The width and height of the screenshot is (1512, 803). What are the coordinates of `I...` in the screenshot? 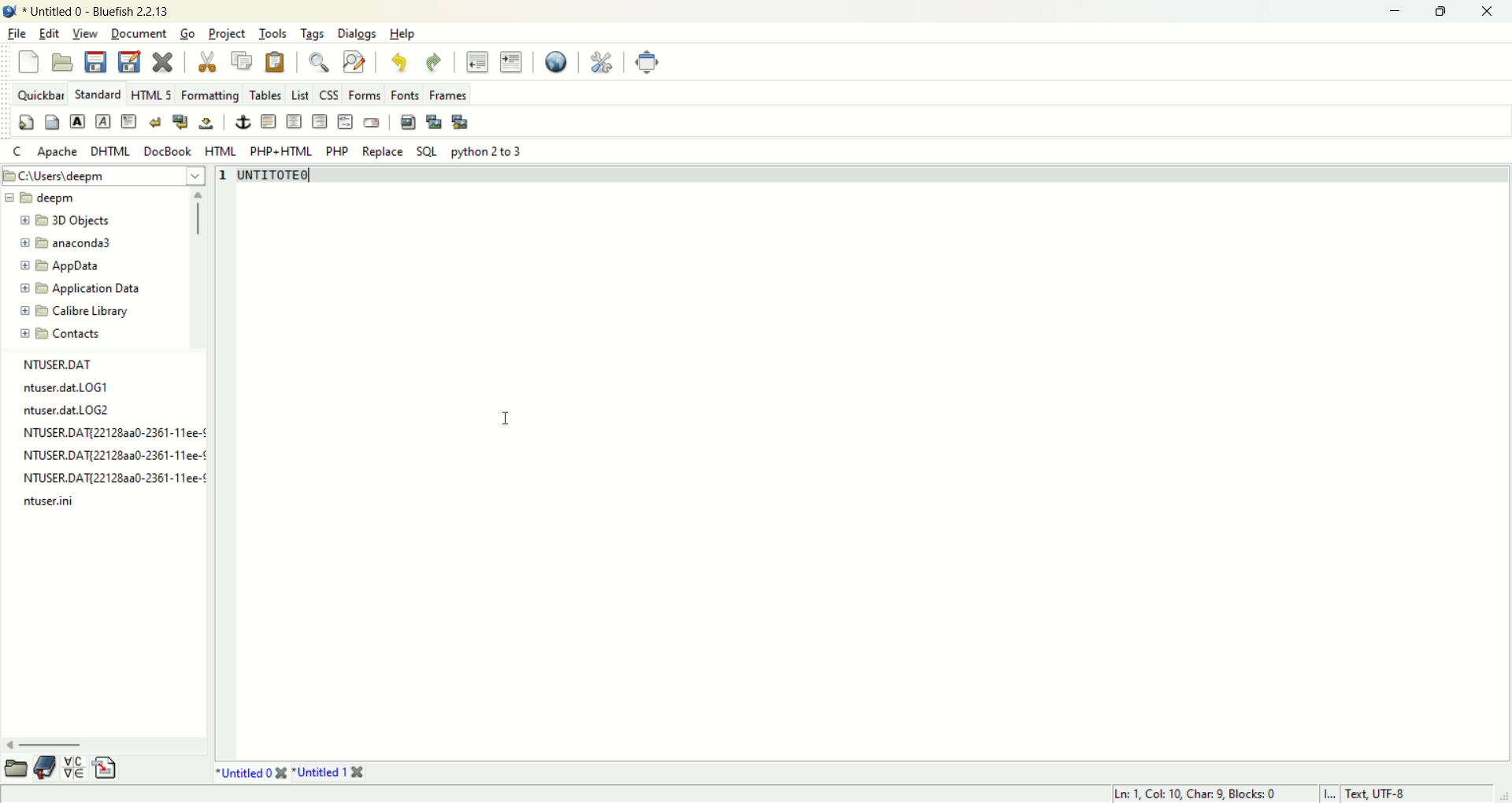 It's located at (1331, 794).